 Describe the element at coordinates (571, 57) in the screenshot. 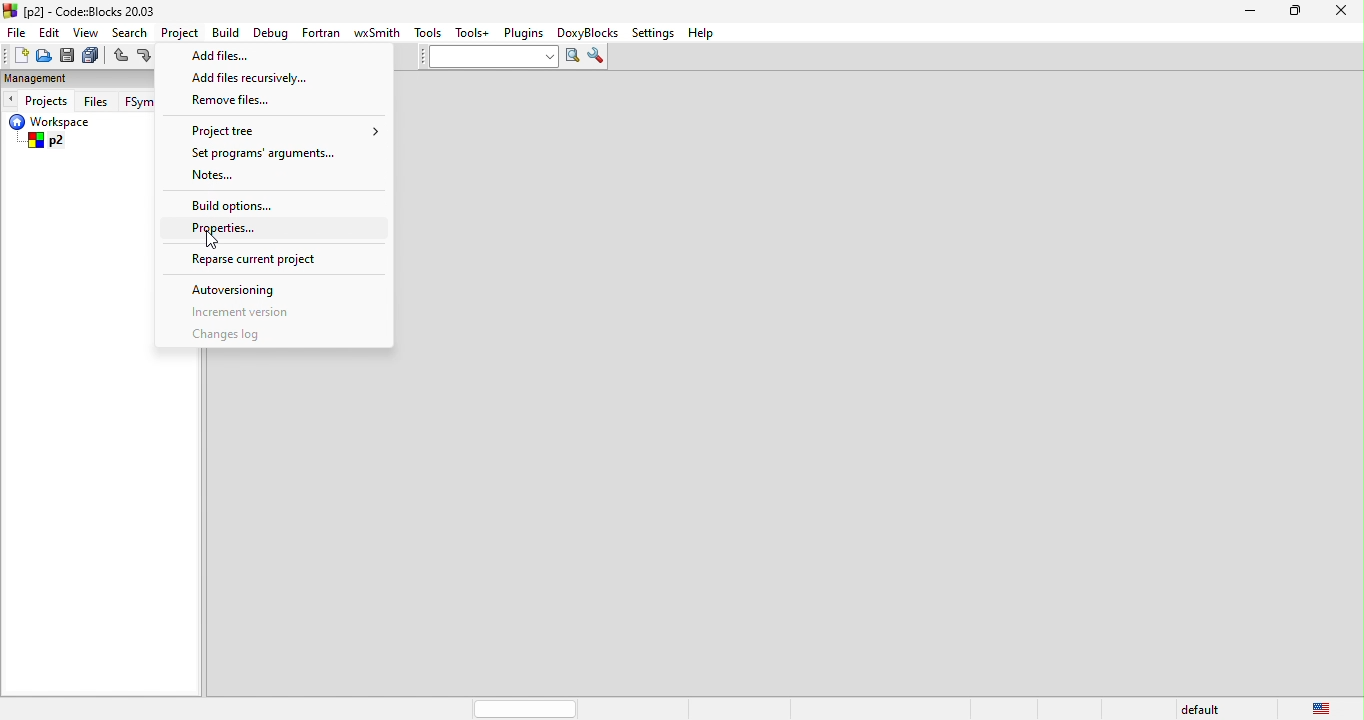

I see `run search` at that location.